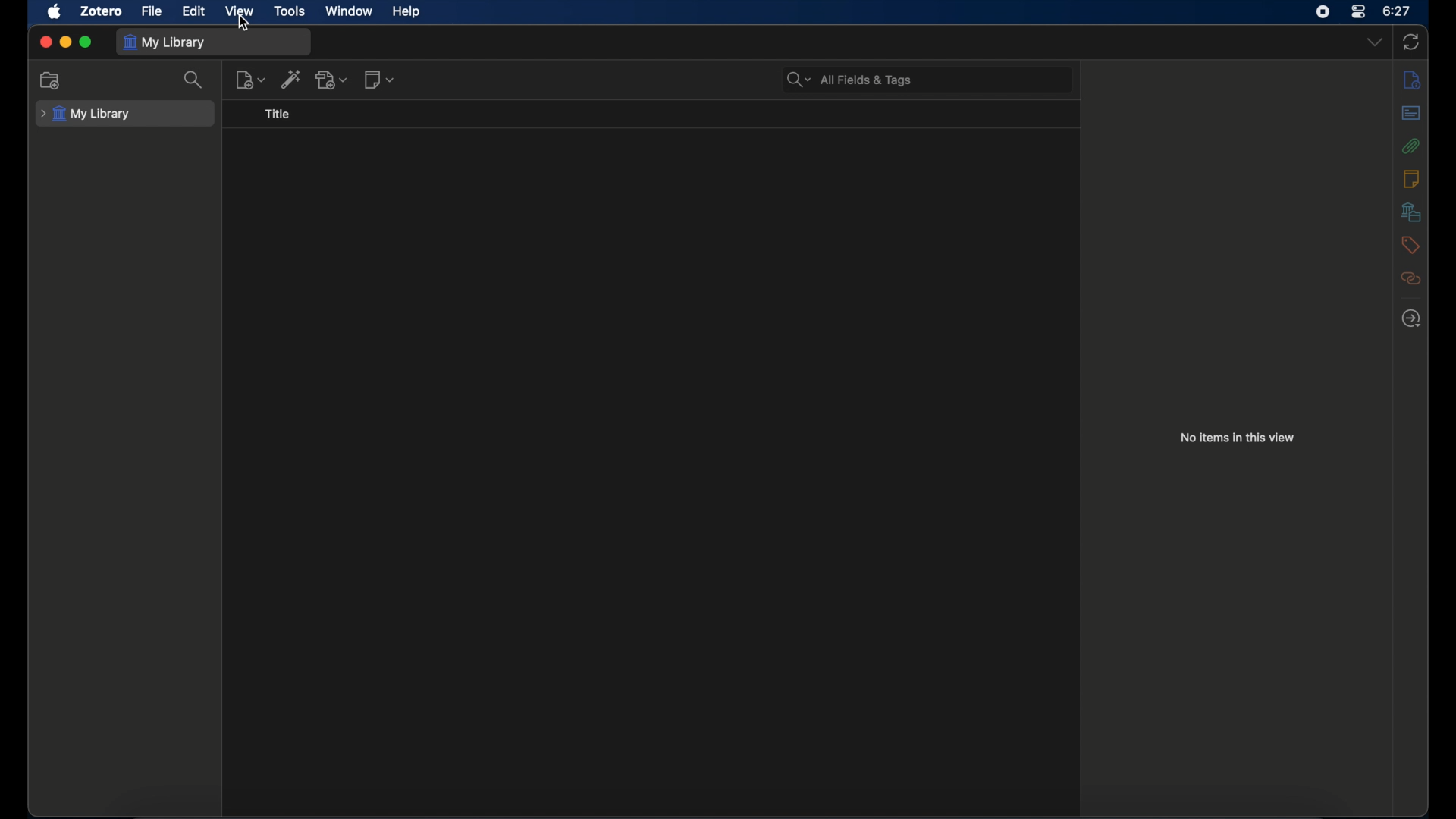 The height and width of the screenshot is (819, 1456). What do you see at coordinates (246, 23) in the screenshot?
I see `cursor` at bounding box center [246, 23].